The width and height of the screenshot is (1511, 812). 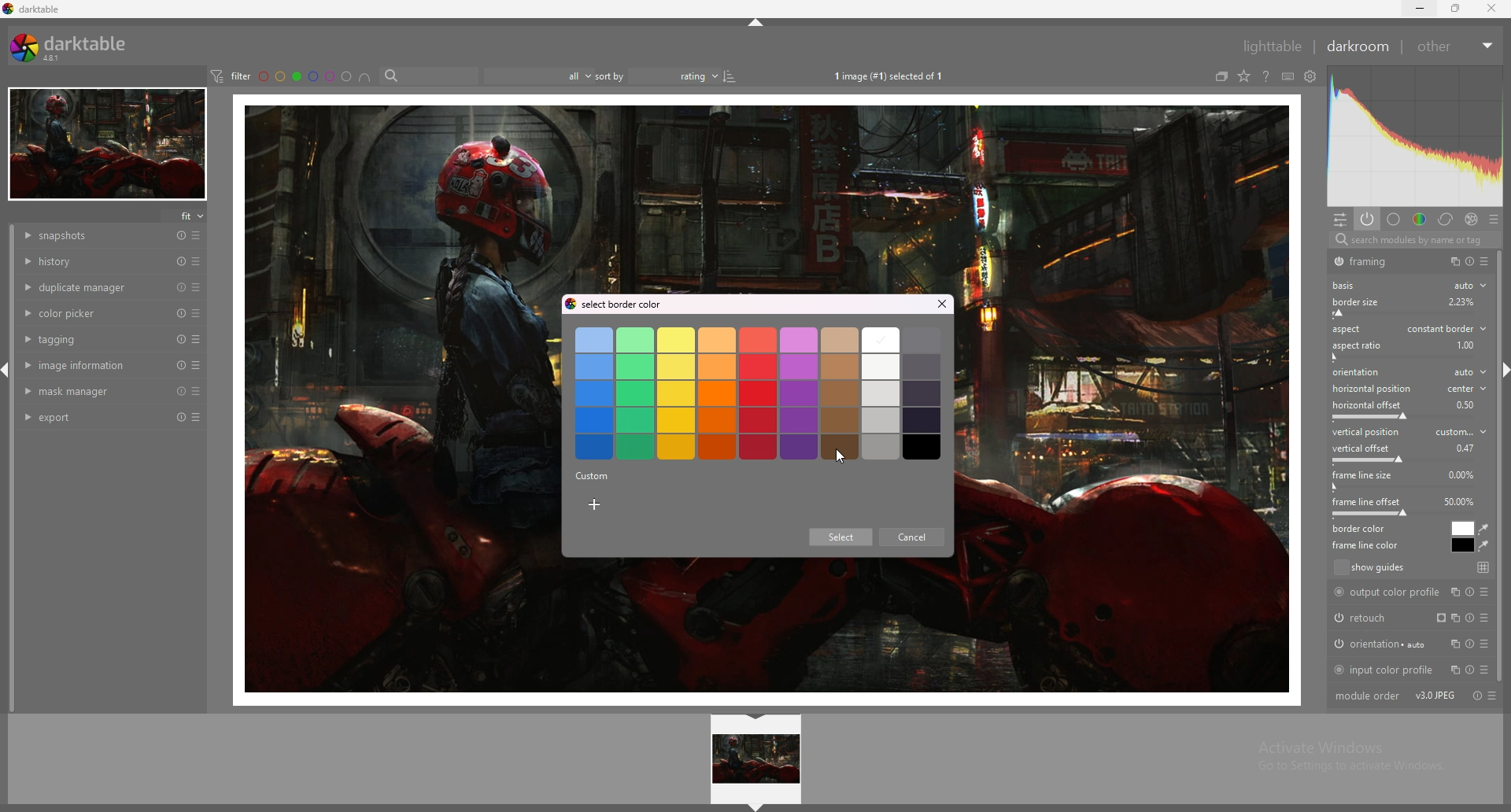 I want to click on percentage, so click(x=1464, y=474).